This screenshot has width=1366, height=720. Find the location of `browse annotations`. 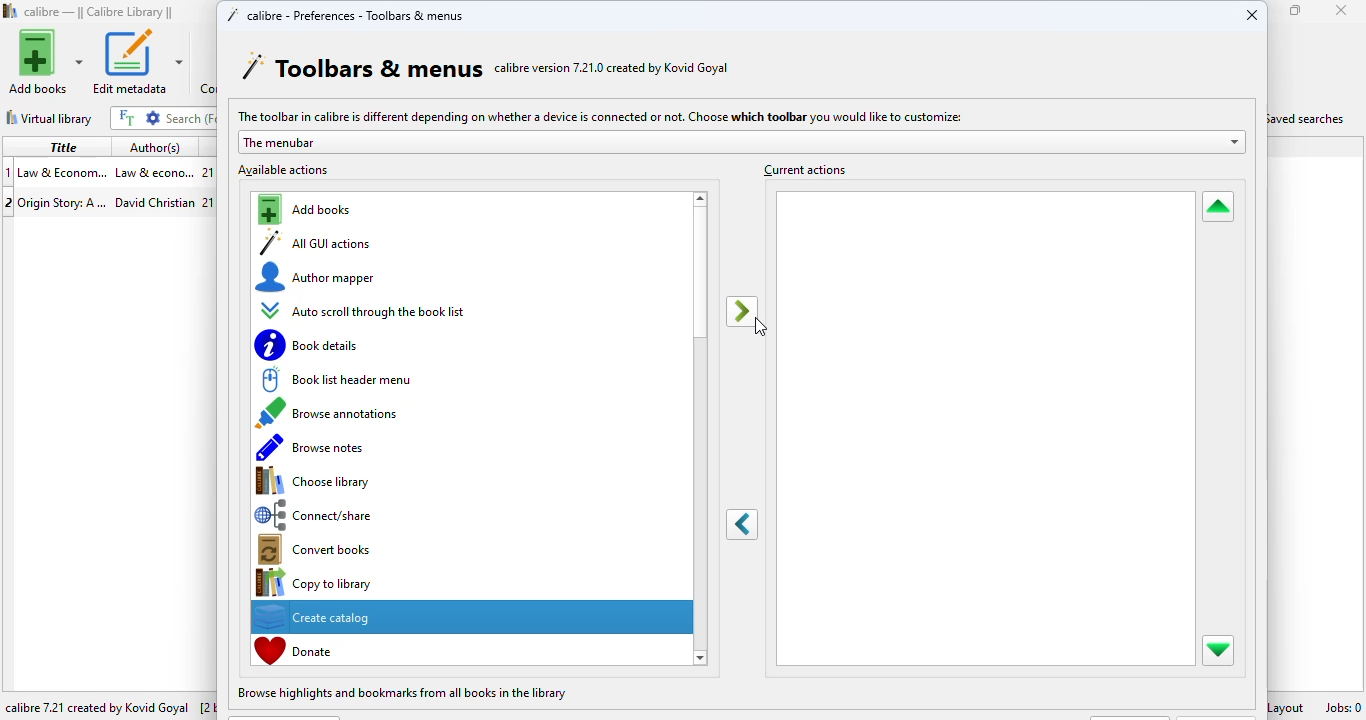

browse annotations is located at coordinates (333, 412).